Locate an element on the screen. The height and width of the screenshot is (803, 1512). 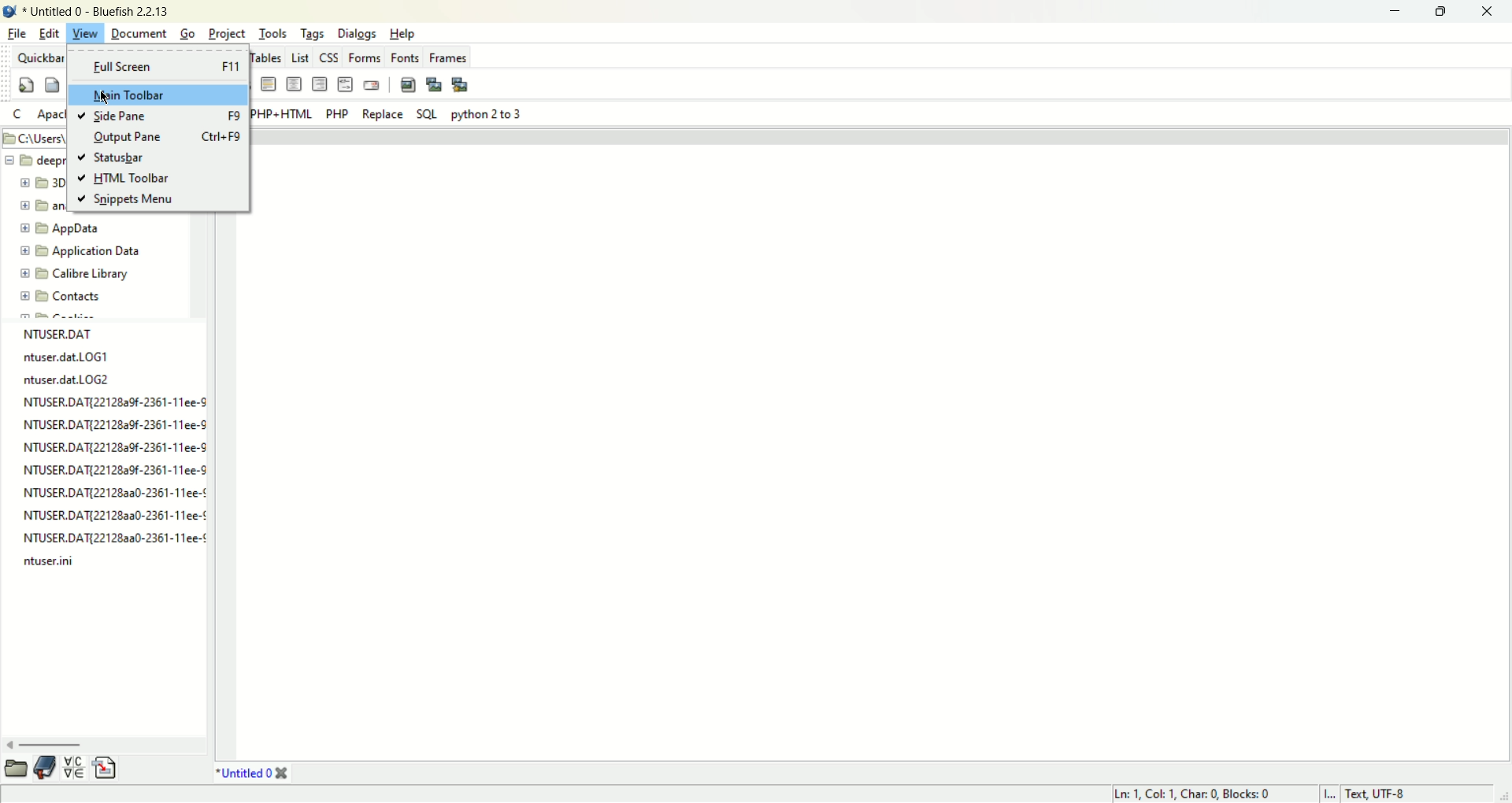
center is located at coordinates (294, 83).